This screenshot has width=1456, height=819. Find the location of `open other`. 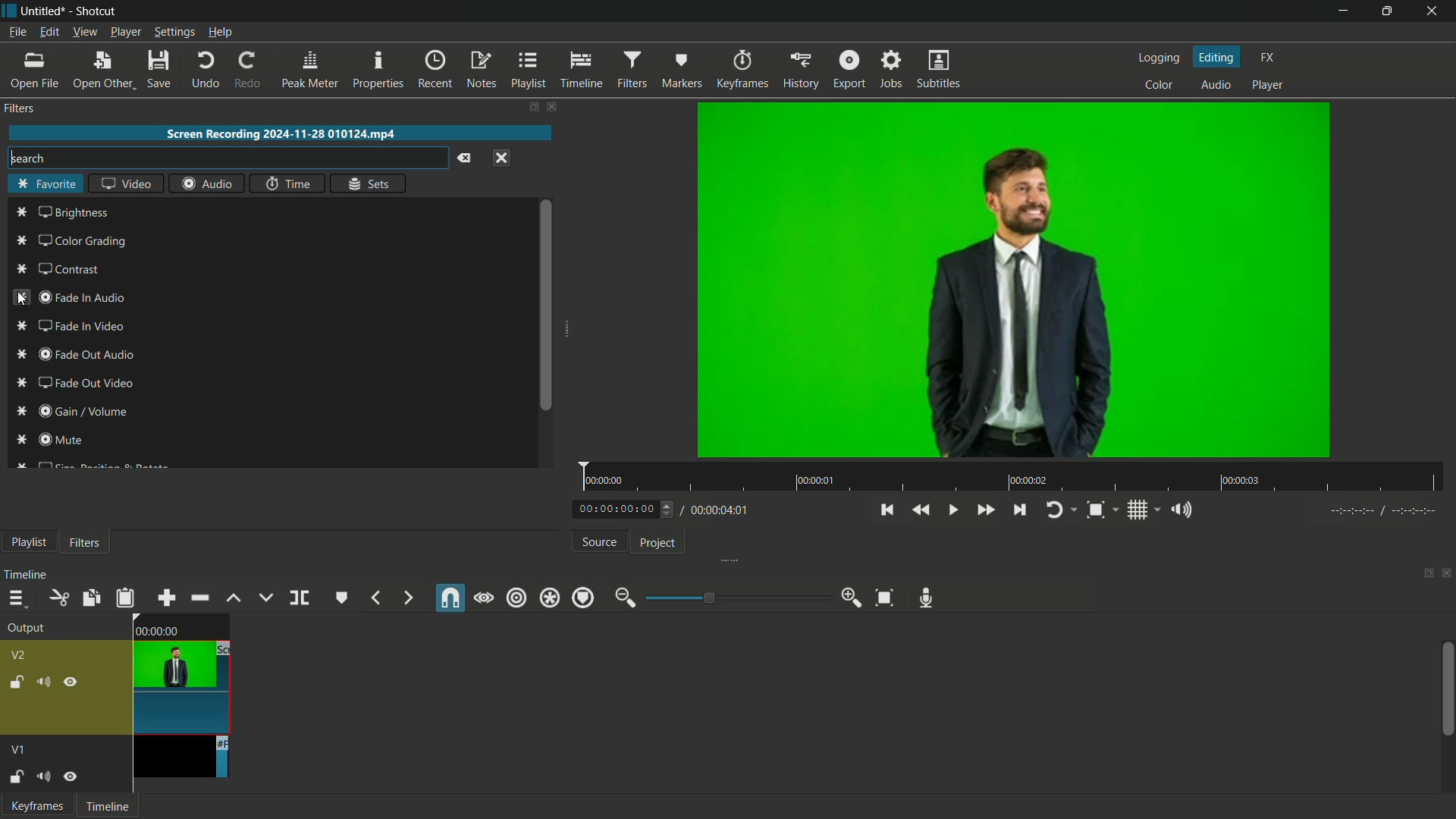

open other is located at coordinates (102, 70).